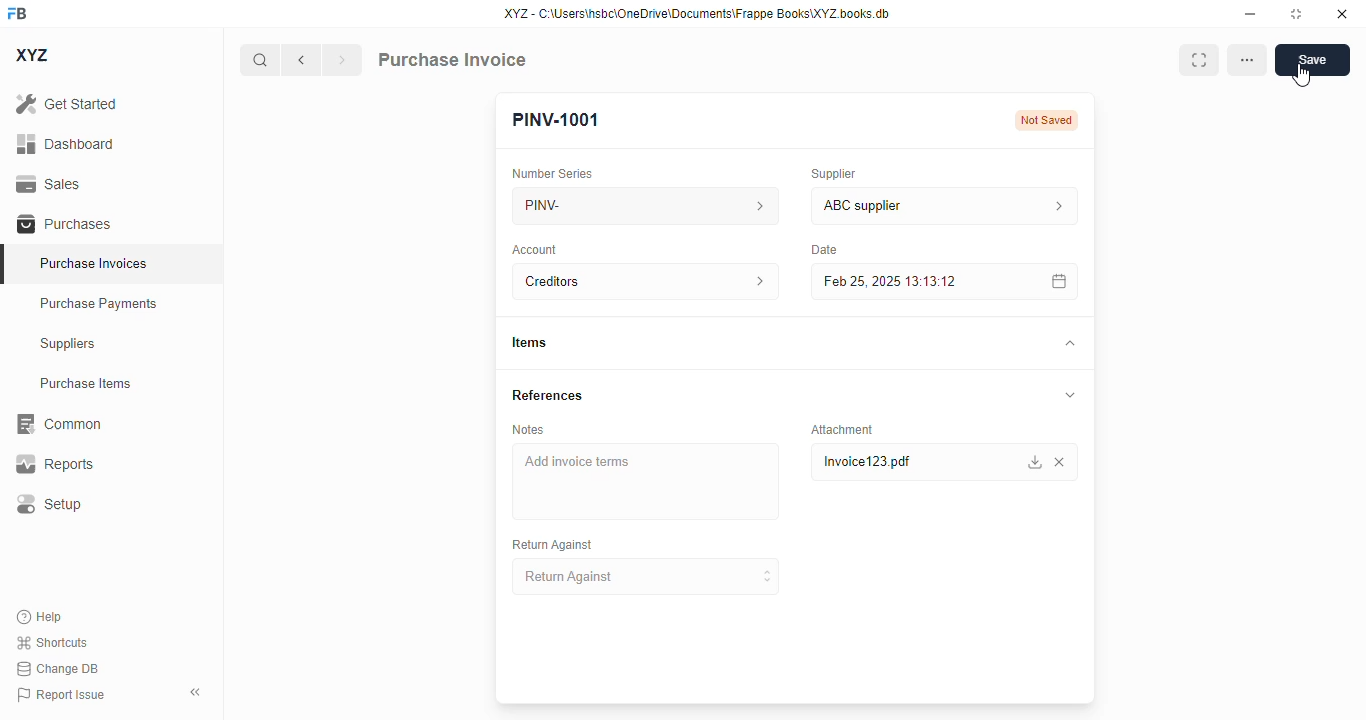  Describe the element at coordinates (47, 505) in the screenshot. I see `setup` at that location.